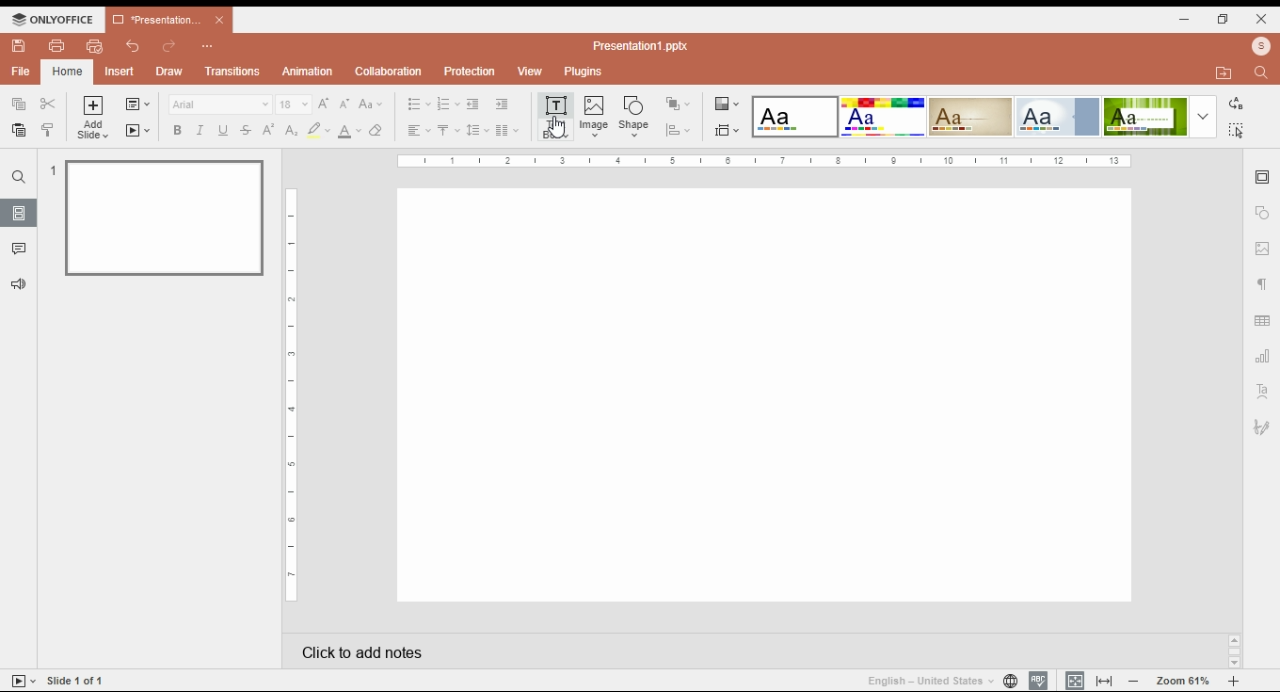 This screenshot has height=692, width=1280. I want to click on columns, so click(509, 130).